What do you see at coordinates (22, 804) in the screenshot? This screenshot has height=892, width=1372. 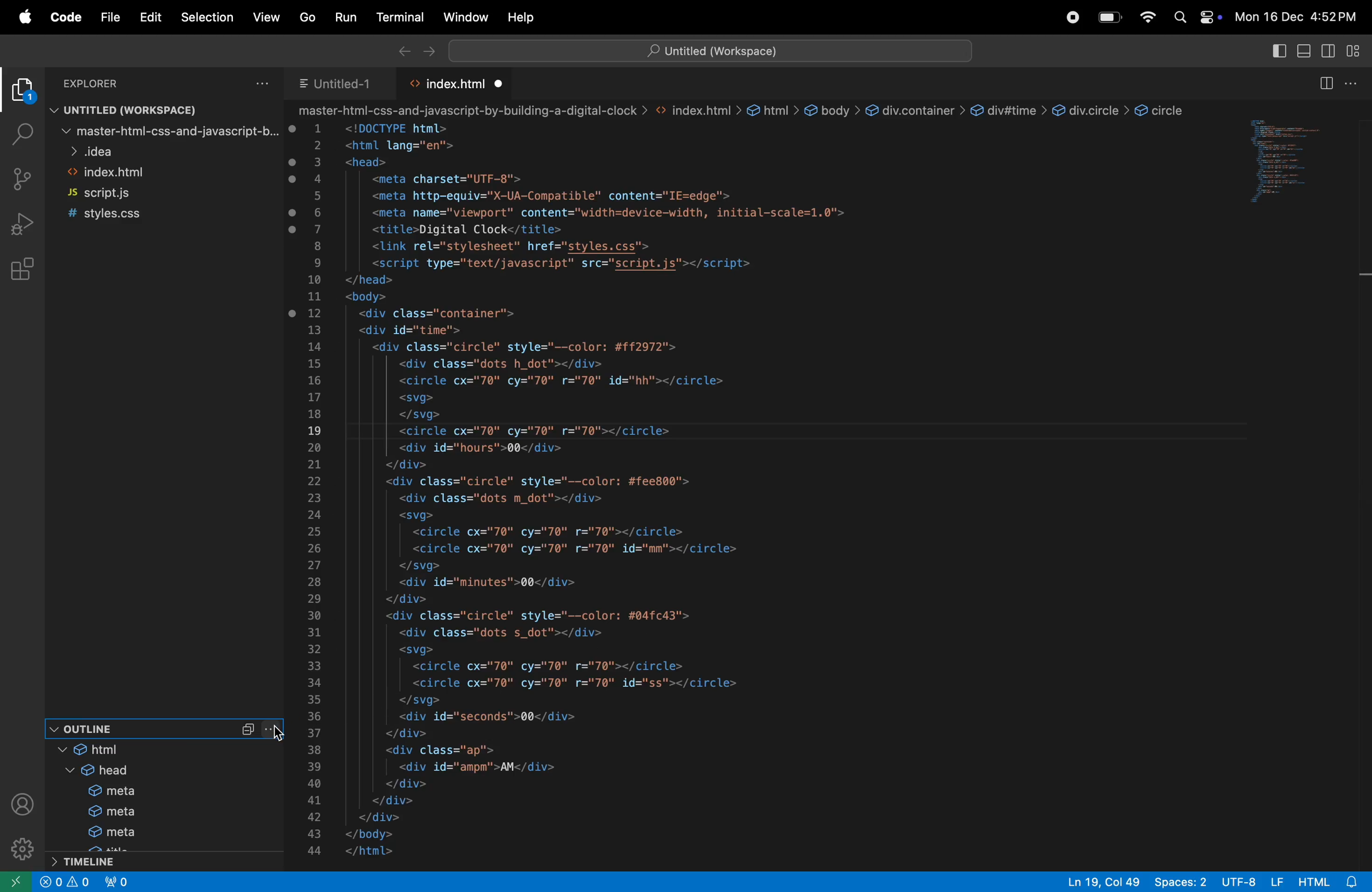 I see `profile` at bounding box center [22, 804].